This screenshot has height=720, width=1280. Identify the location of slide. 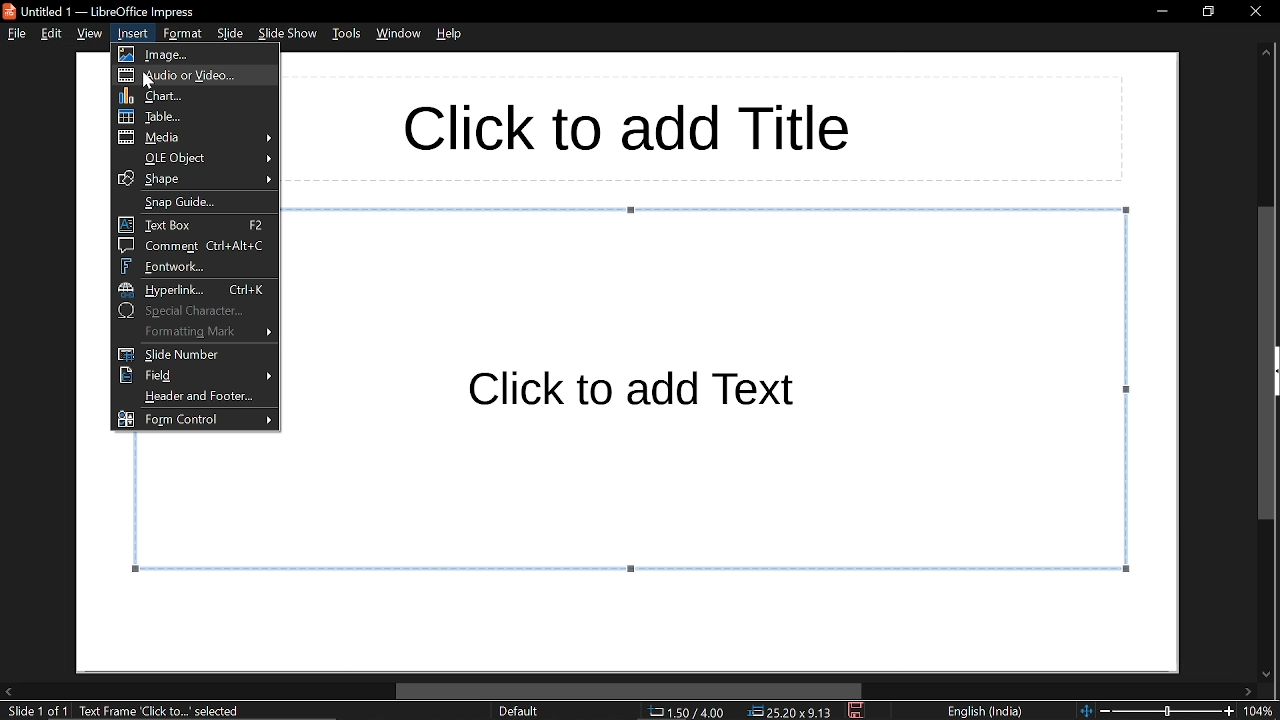
(232, 33).